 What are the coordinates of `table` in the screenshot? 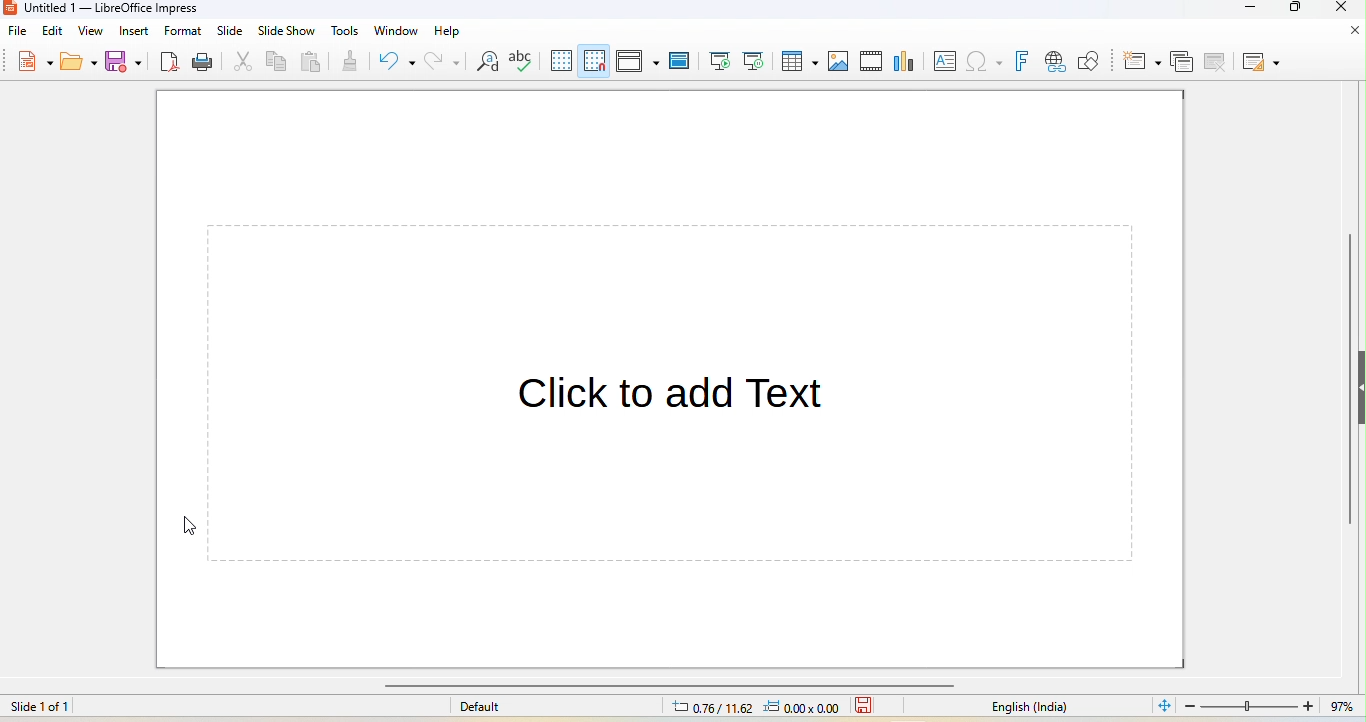 It's located at (801, 62).